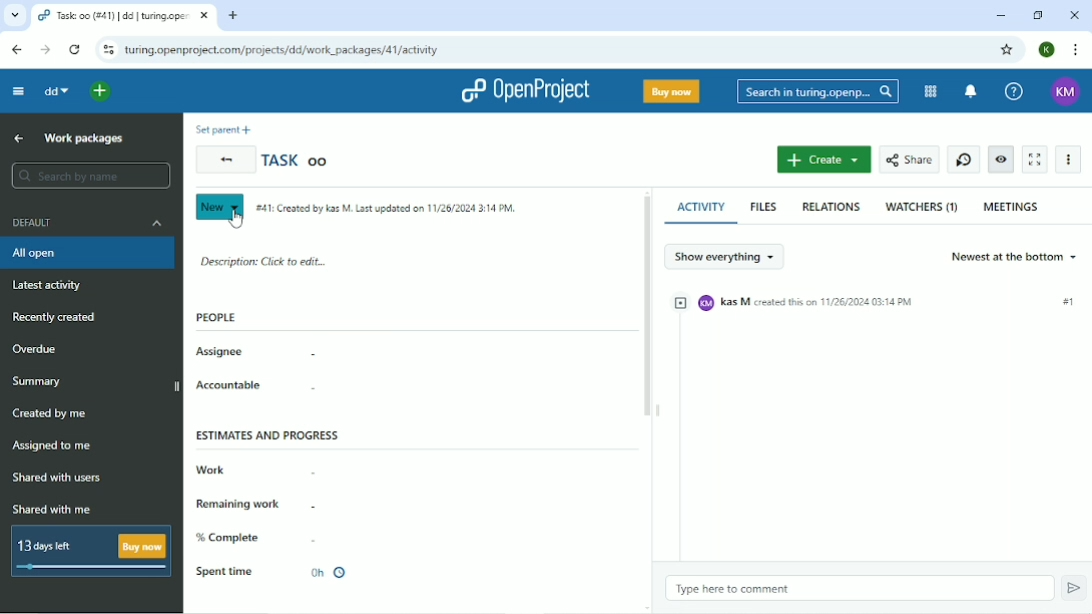 The width and height of the screenshot is (1092, 614). What do you see at coordinates (273, 572) in the screenshot?
I see `Spent time 0h` at bounding box center [273, 572].